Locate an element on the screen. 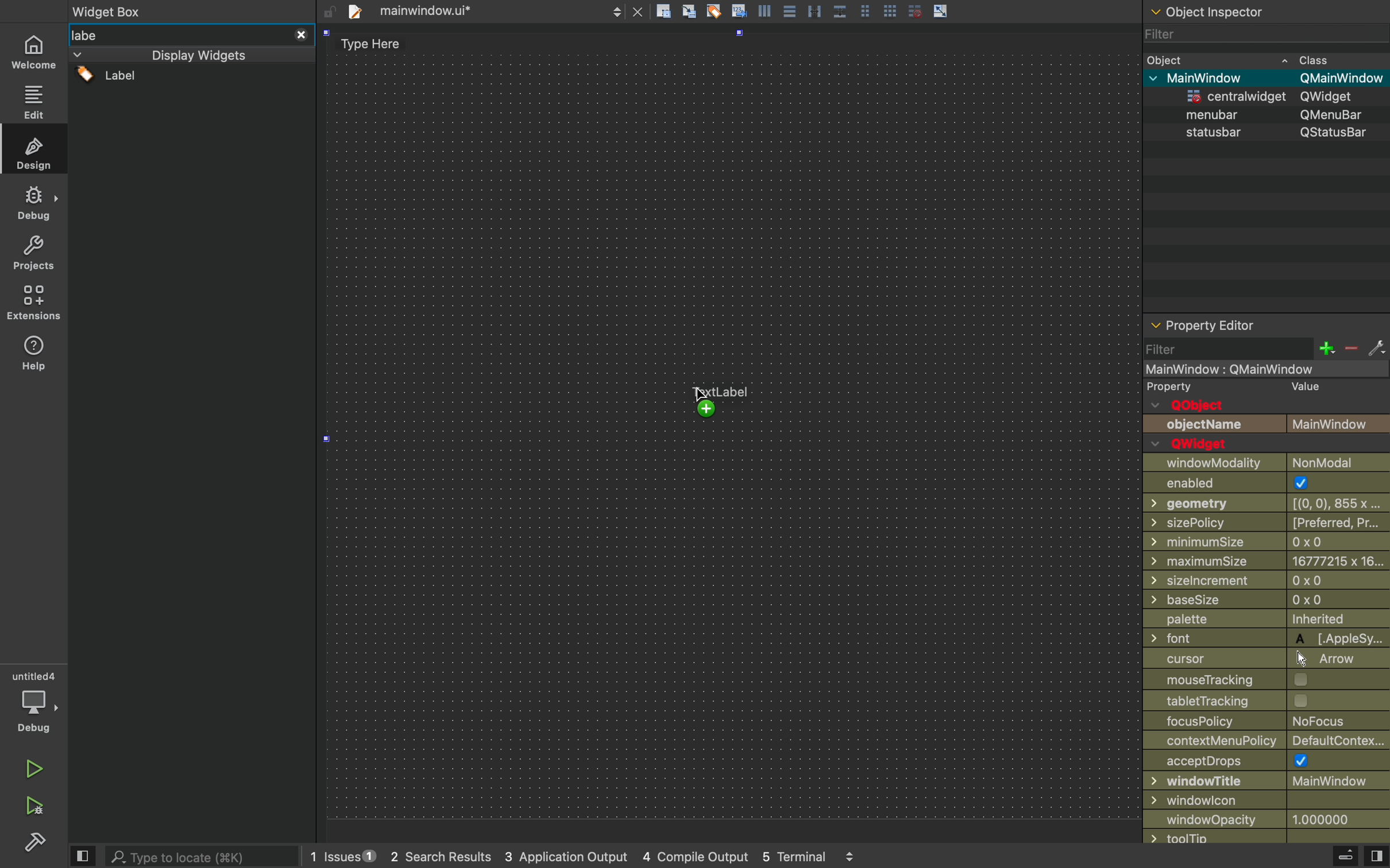  arrow is located at coordinates (942, 10).